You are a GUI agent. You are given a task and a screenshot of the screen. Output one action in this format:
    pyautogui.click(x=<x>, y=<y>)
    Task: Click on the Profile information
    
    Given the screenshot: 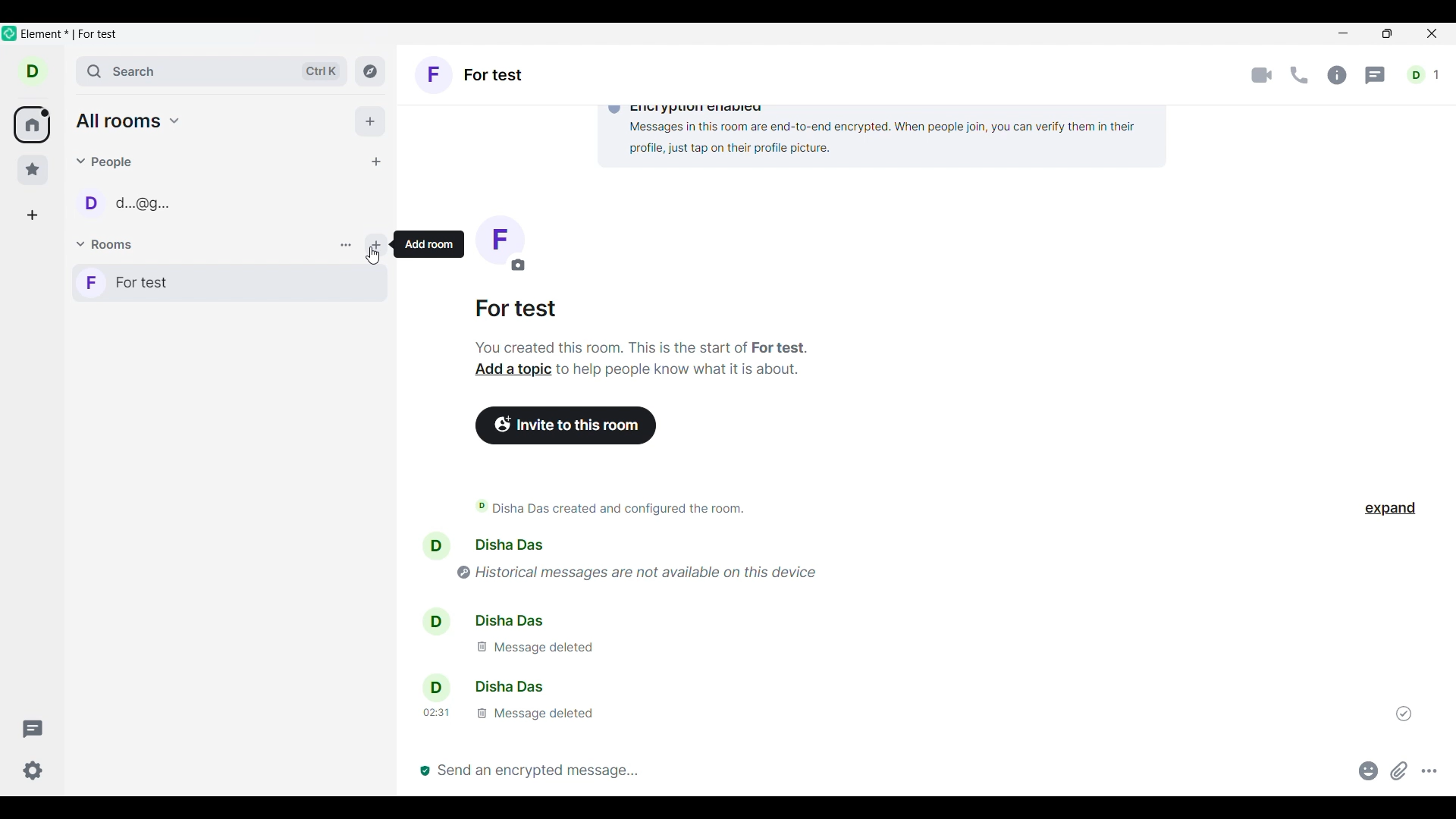 What is the action you would take?
    pyautogui.click(x=431, y=617)
    